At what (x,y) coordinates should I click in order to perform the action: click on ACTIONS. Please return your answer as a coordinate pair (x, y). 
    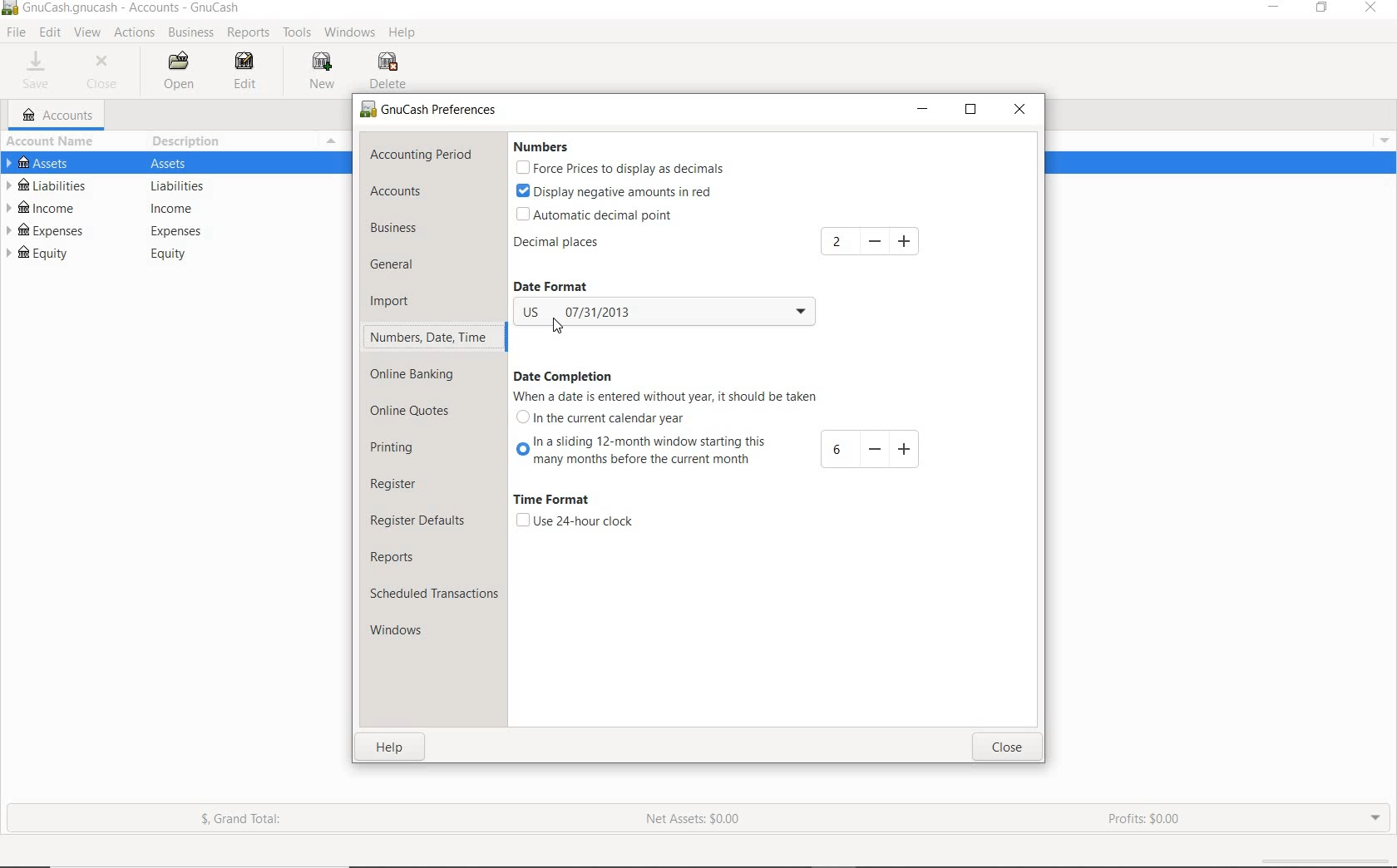
    Looking at the image, I should click on (136, 33).